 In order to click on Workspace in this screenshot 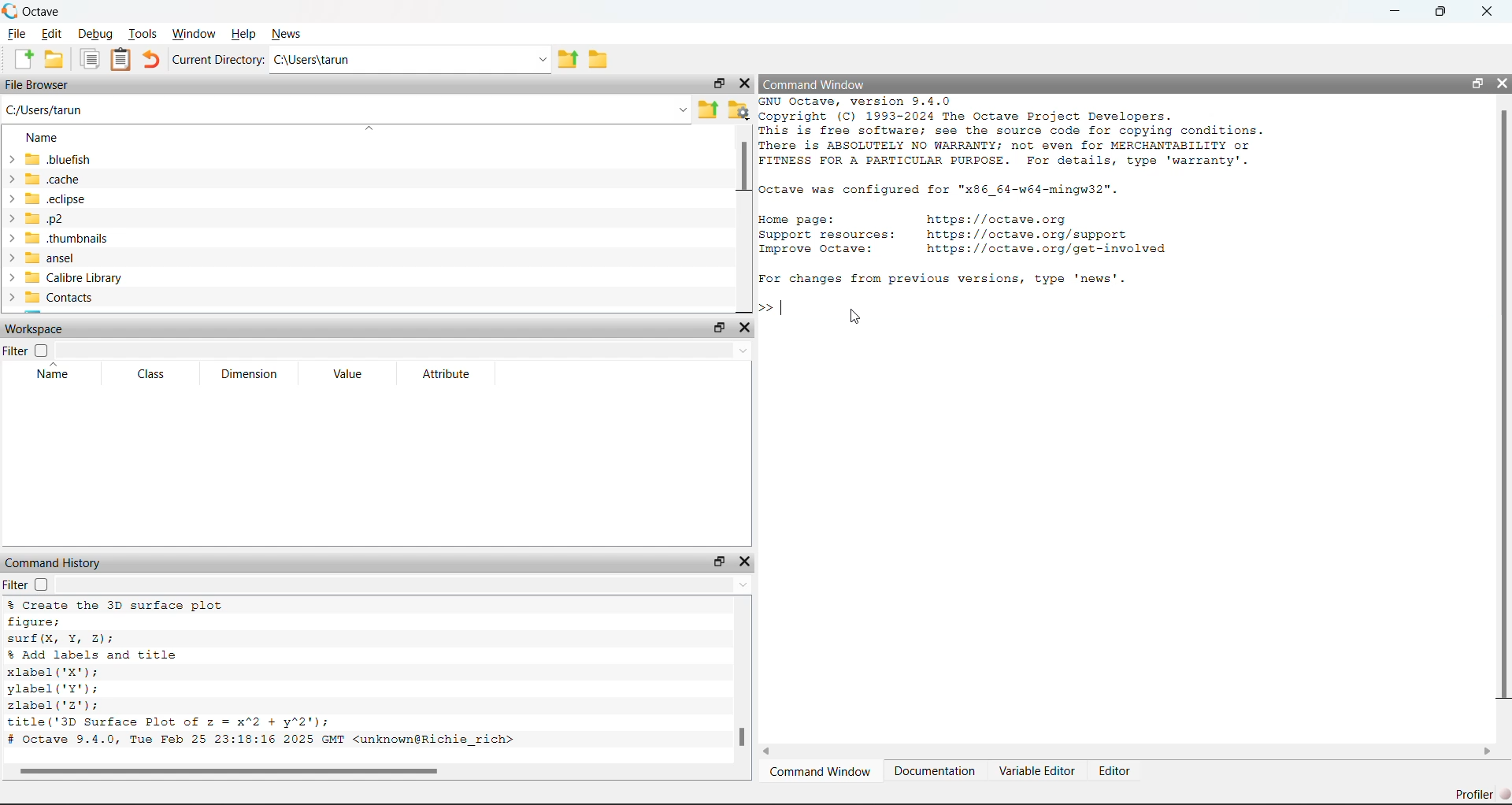, I will do `click(34, 328)`.